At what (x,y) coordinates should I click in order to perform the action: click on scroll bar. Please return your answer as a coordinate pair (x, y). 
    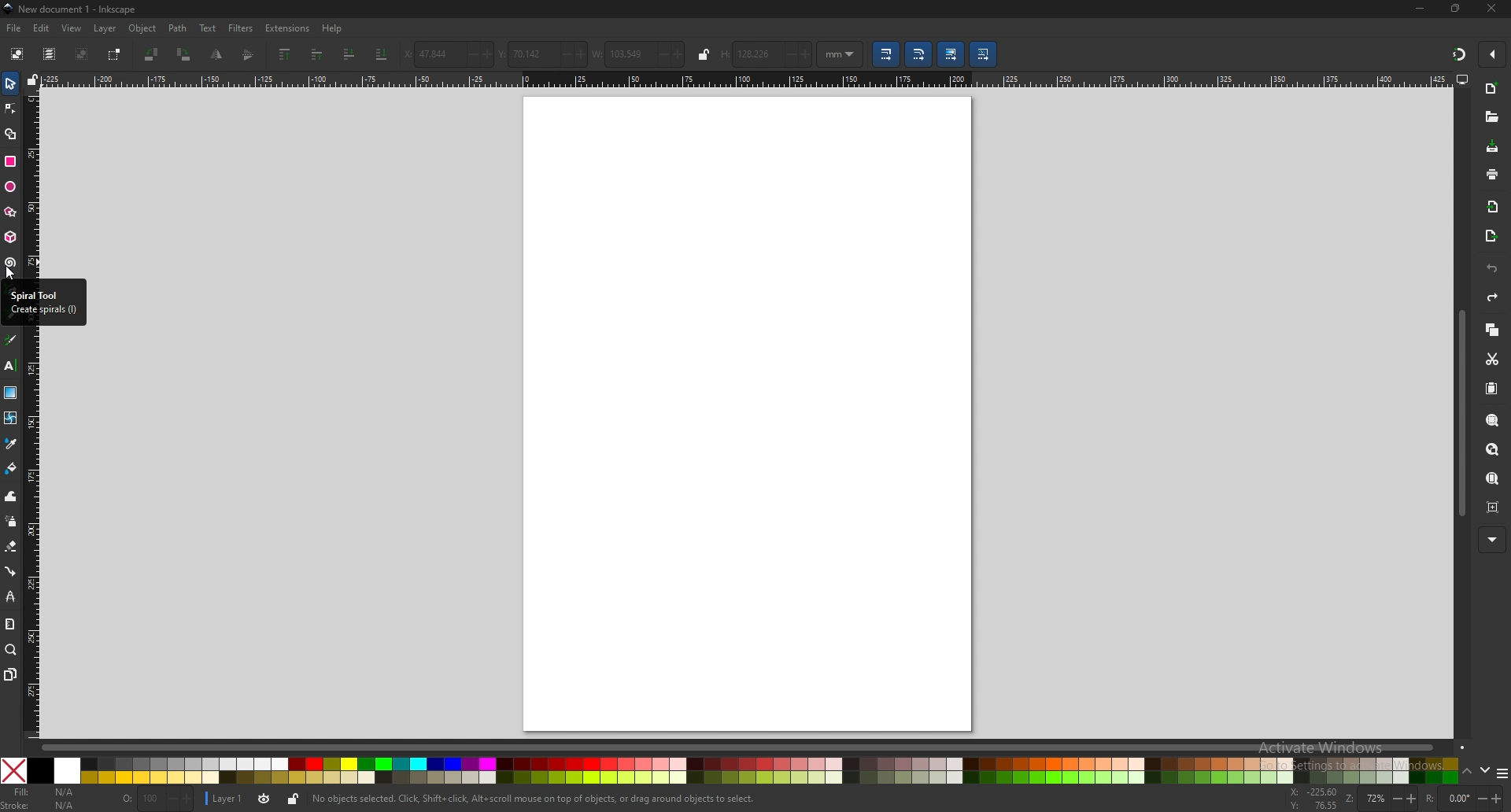
    Looking at the image, I should click on (1459, 416).